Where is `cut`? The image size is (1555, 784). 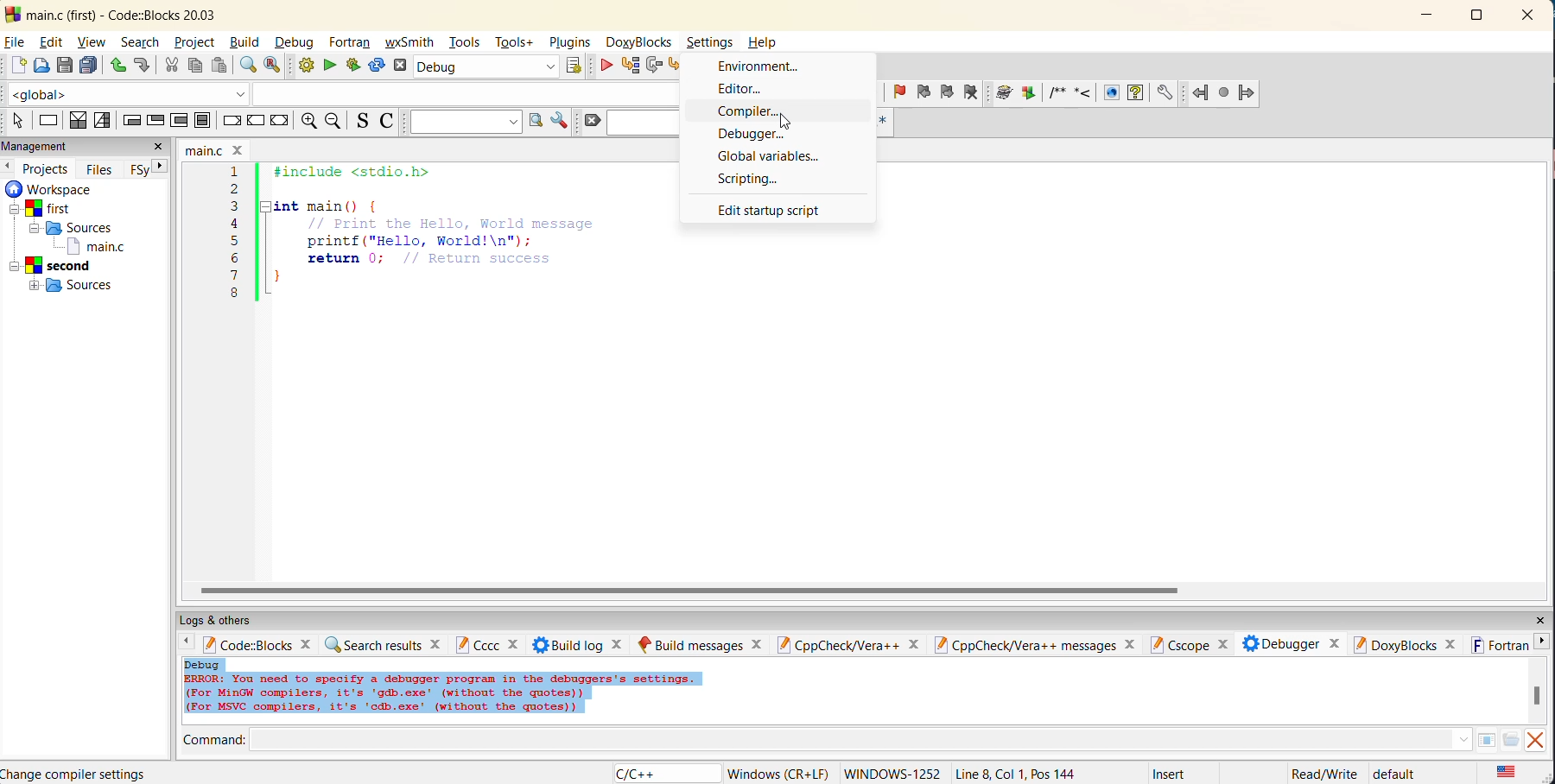
cut is located at coordinates (168, 66).